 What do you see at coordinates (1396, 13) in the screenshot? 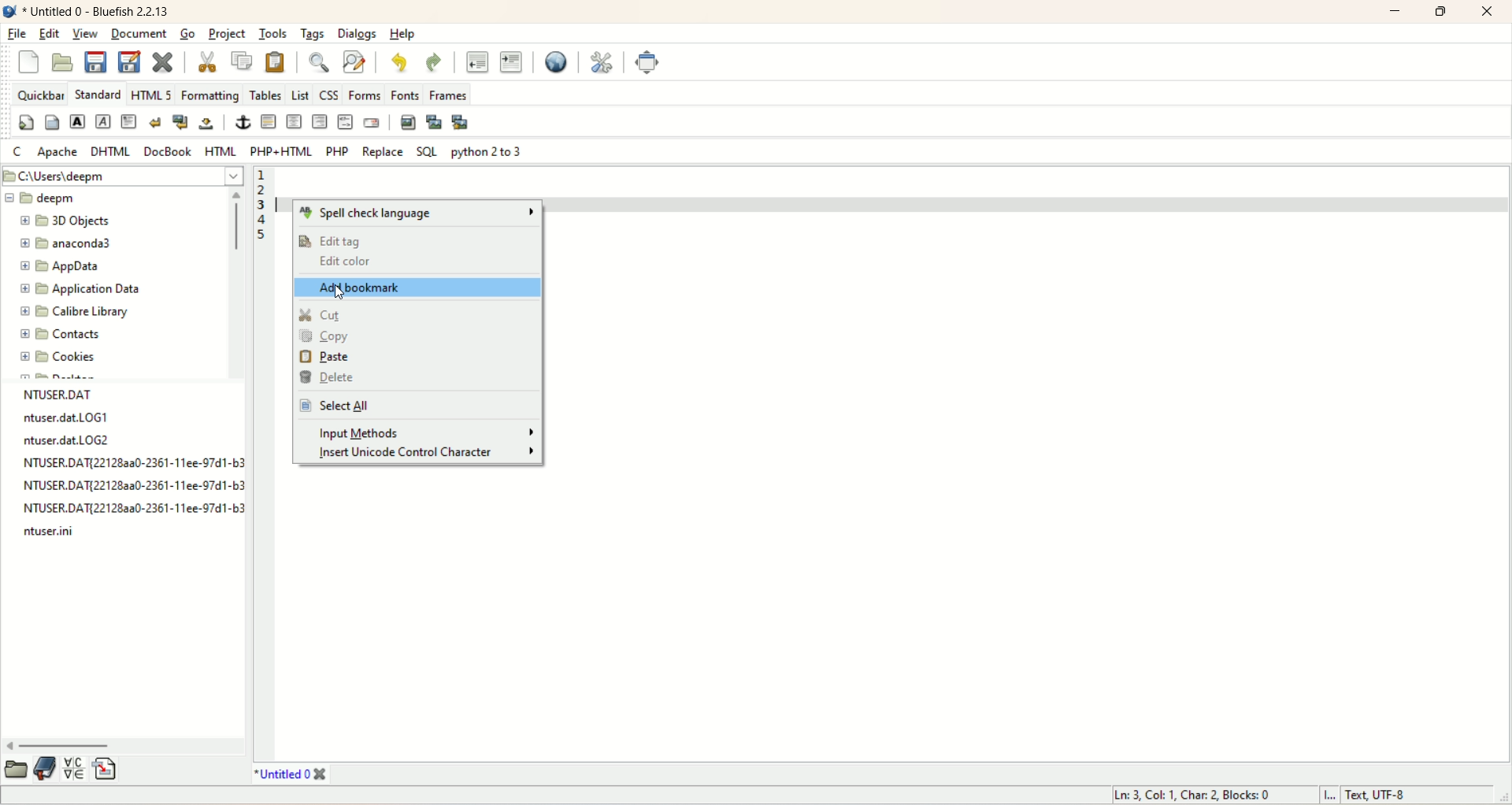
I see `minimize` at bounding box center [1396, 13].